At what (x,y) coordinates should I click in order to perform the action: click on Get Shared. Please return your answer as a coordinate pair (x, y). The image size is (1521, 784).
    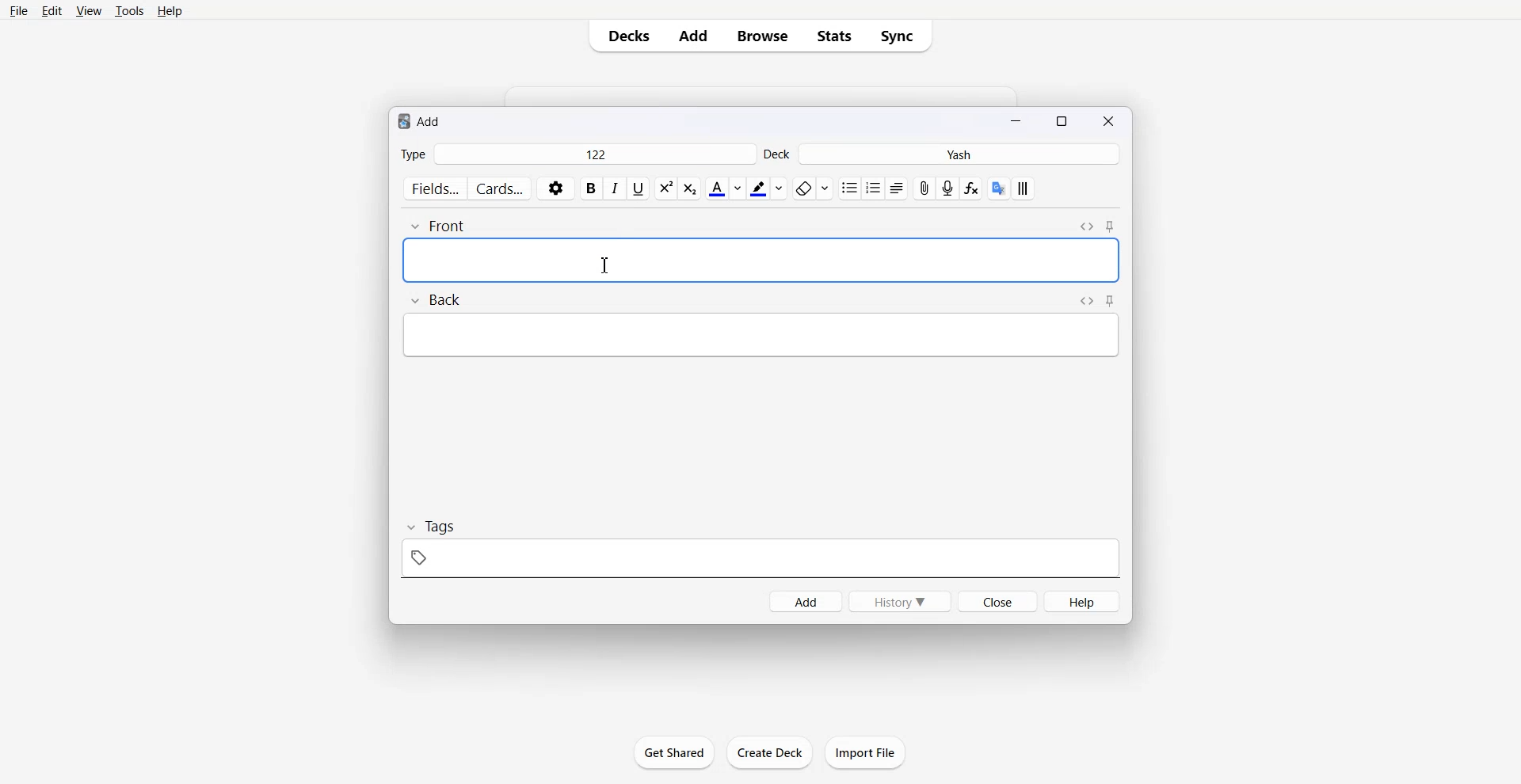
    Looking at the image, I should click on (675, 752).